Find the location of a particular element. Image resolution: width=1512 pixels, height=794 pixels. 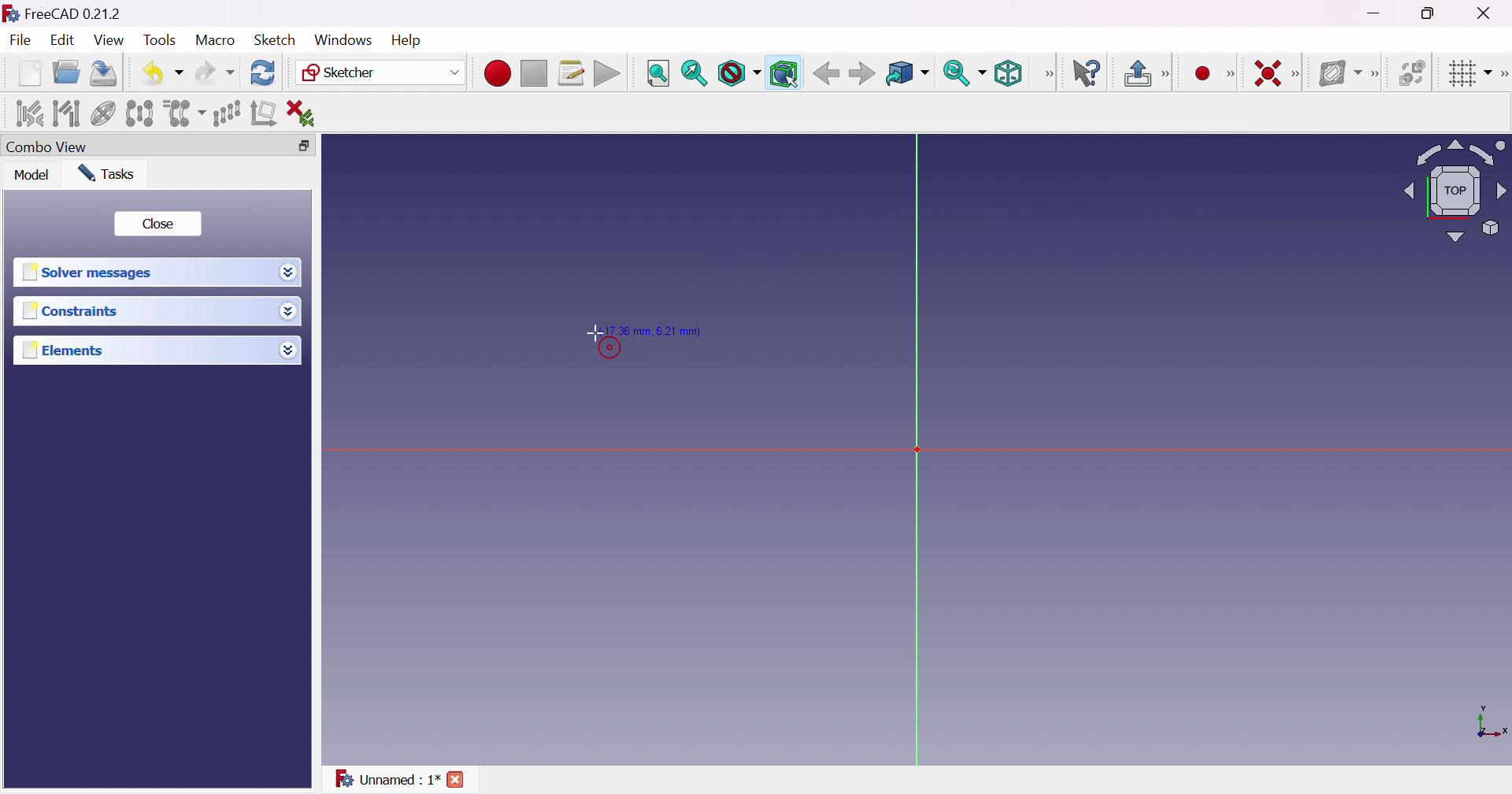

Help is located at coordinates (404, 40).